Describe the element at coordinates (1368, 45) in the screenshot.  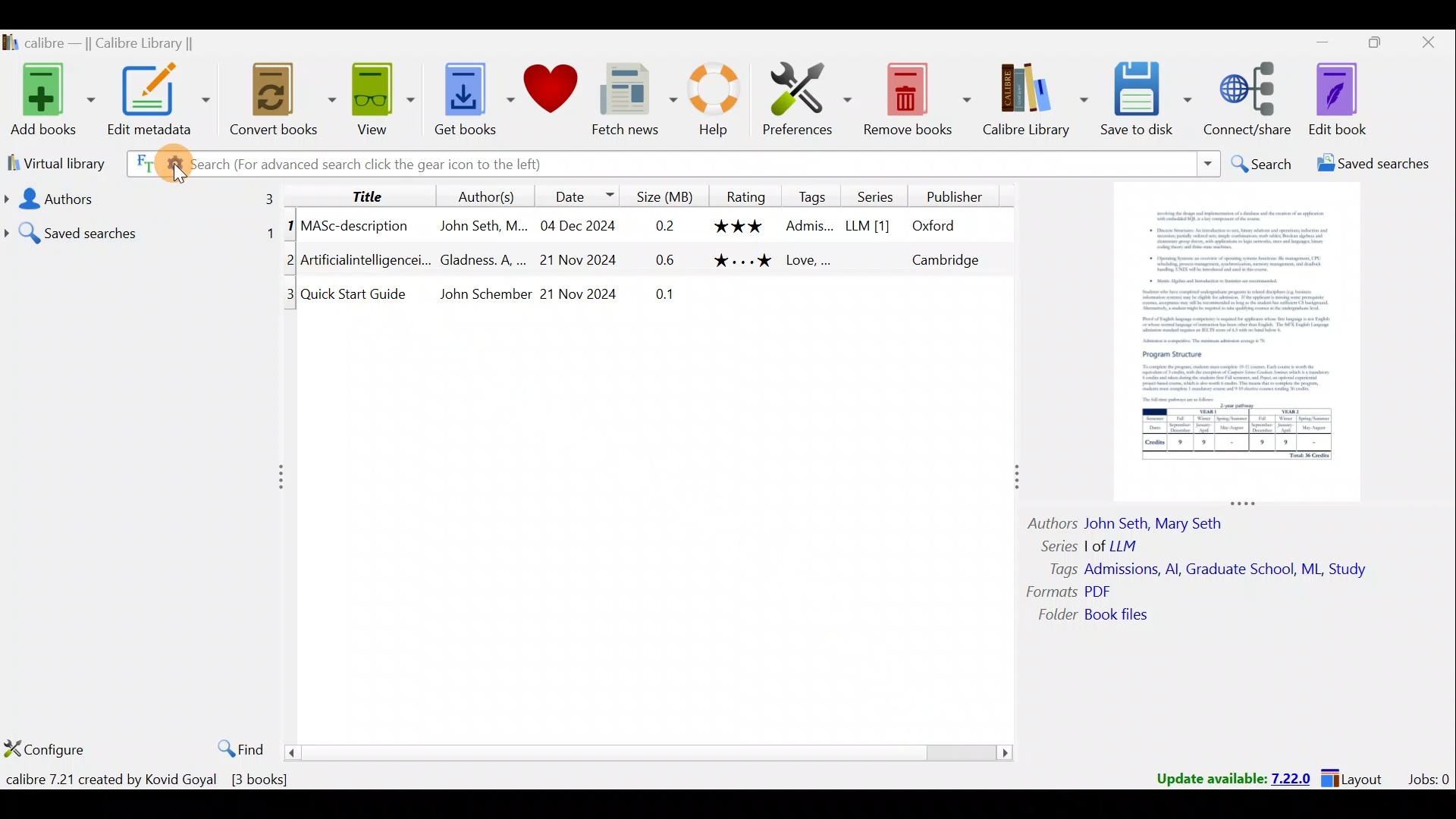
I see `Maximize` at that location.